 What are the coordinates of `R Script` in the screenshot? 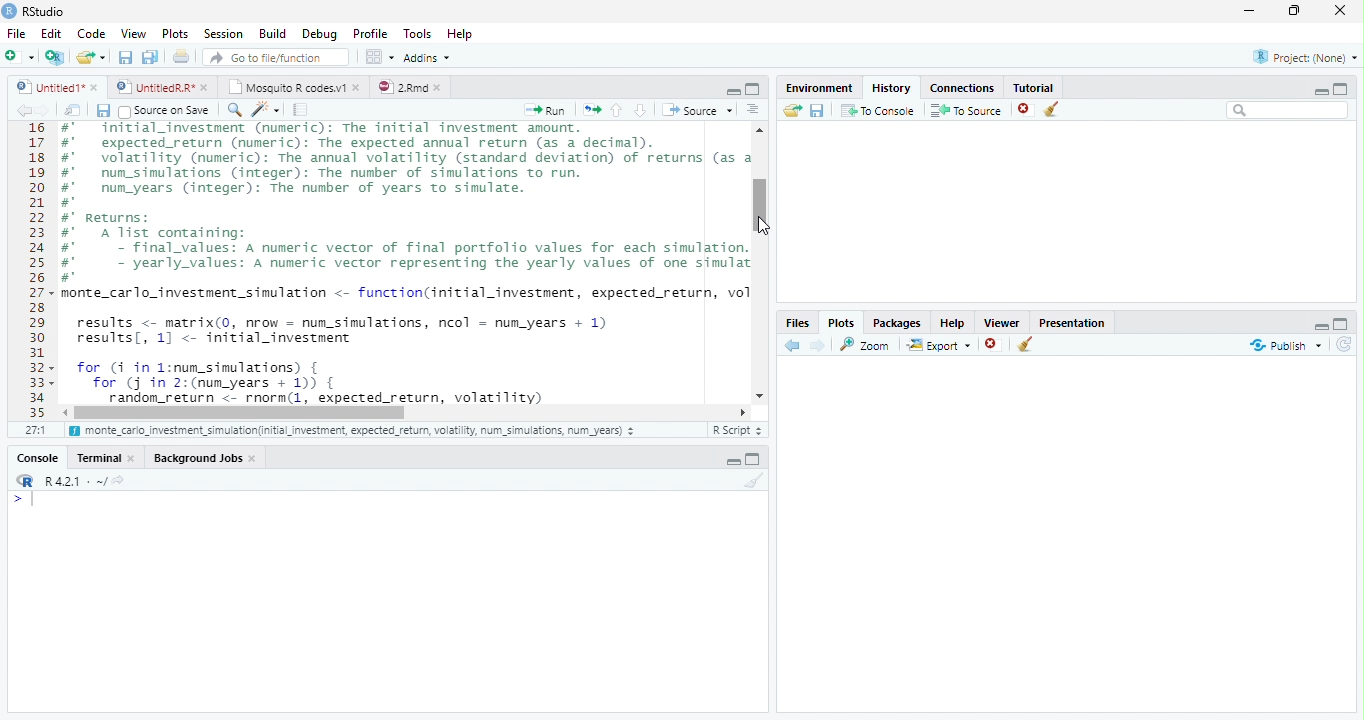 It's located at (737, 430).